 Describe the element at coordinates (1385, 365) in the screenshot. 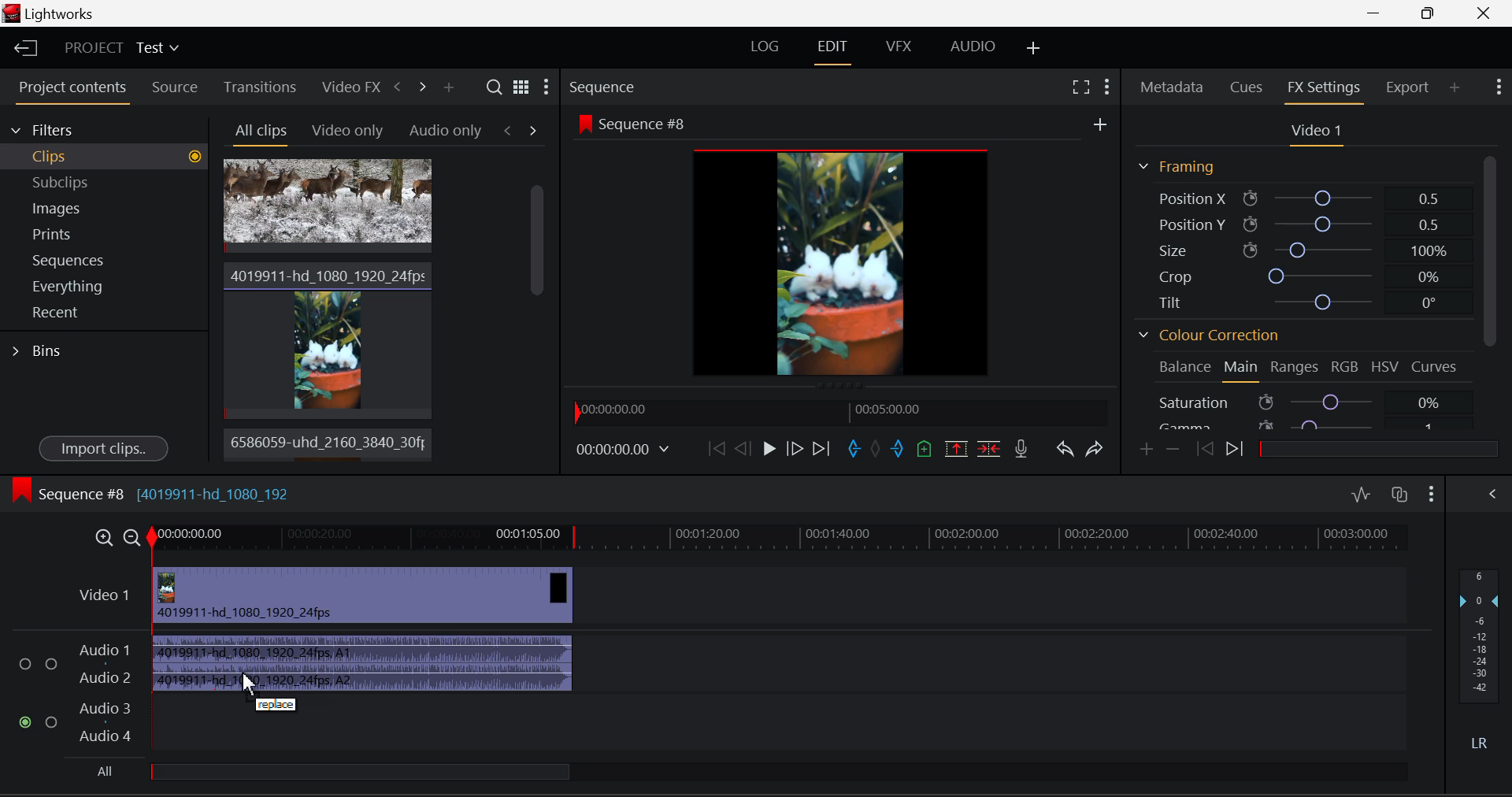

I see `HSV` at that location.